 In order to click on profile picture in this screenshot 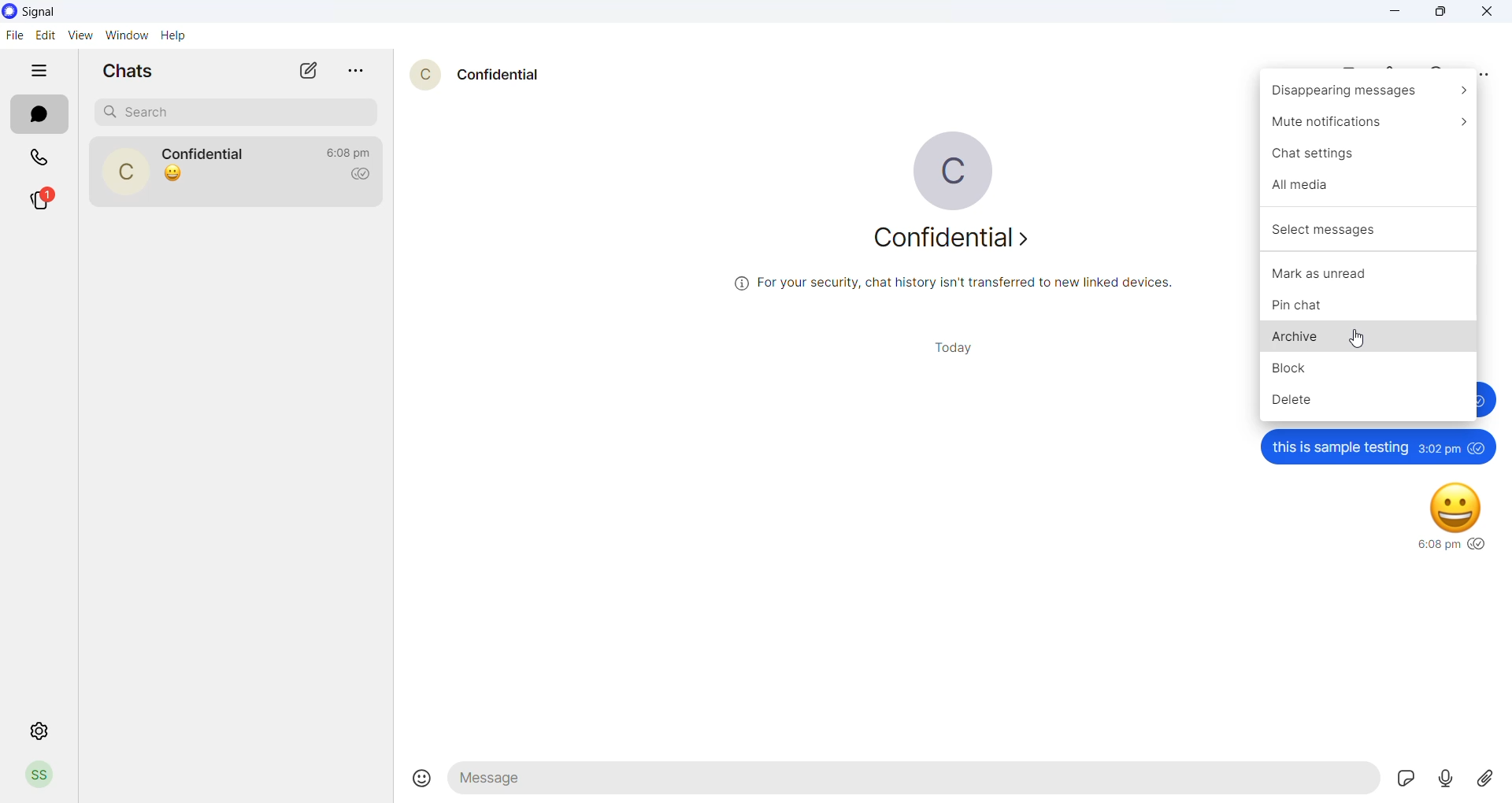, I will do `click(424, 73)`.